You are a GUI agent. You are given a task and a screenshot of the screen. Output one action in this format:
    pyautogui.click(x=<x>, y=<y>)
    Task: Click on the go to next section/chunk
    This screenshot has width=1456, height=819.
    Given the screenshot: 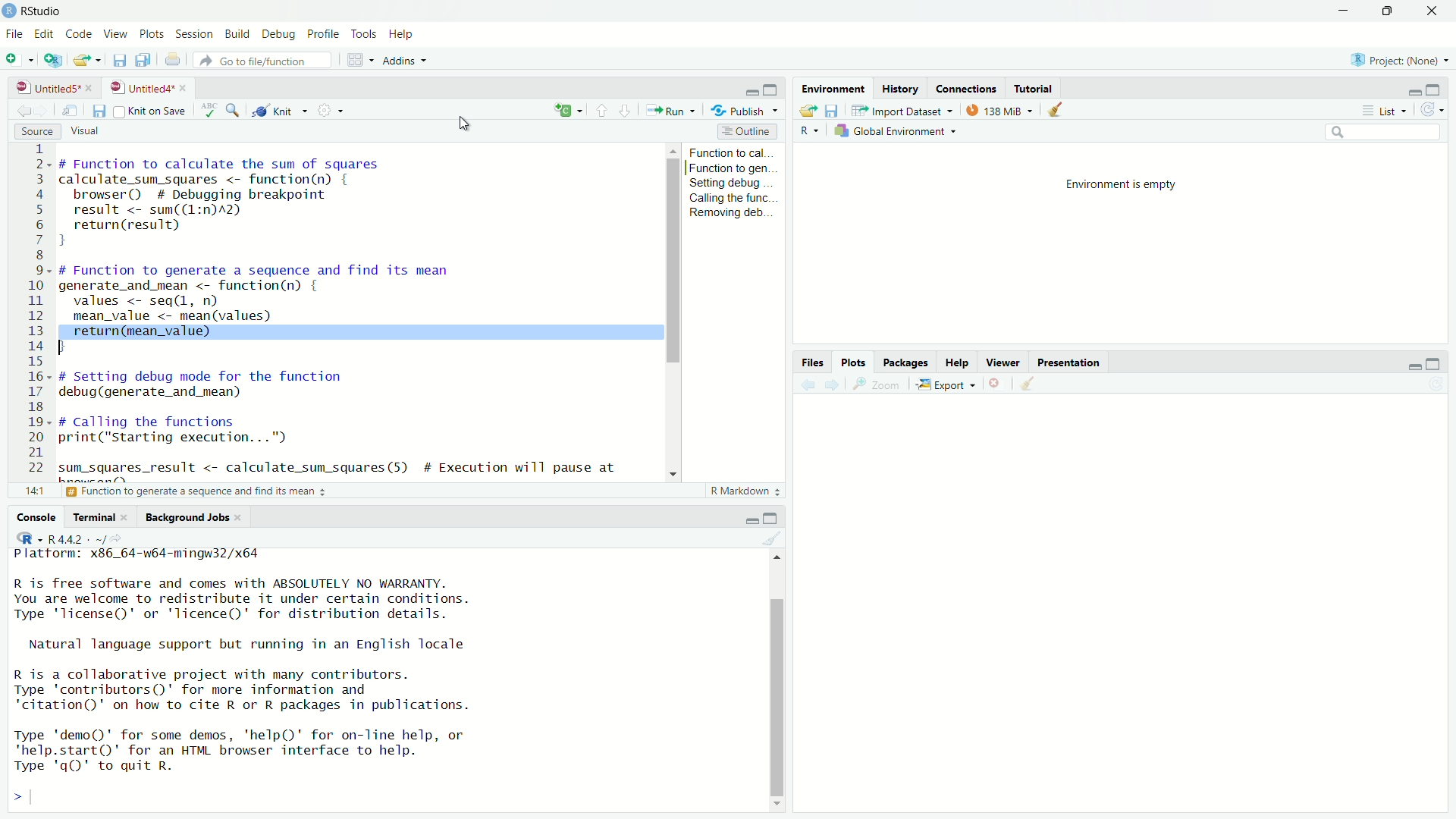 What is the action you would take?
    pyautogui.click(x=623, y=111)
    